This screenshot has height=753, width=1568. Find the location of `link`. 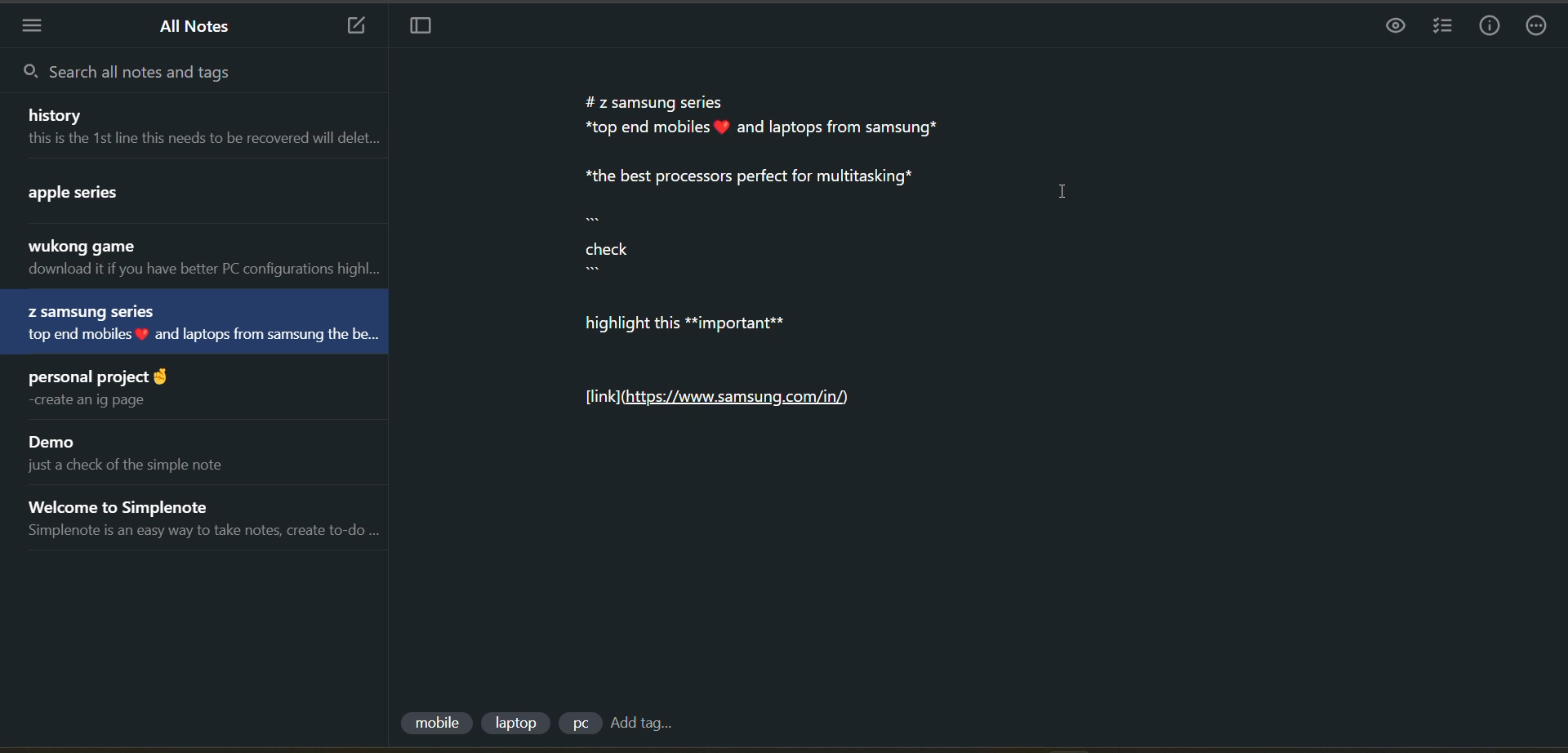

link is located at coordinates (726, 399).